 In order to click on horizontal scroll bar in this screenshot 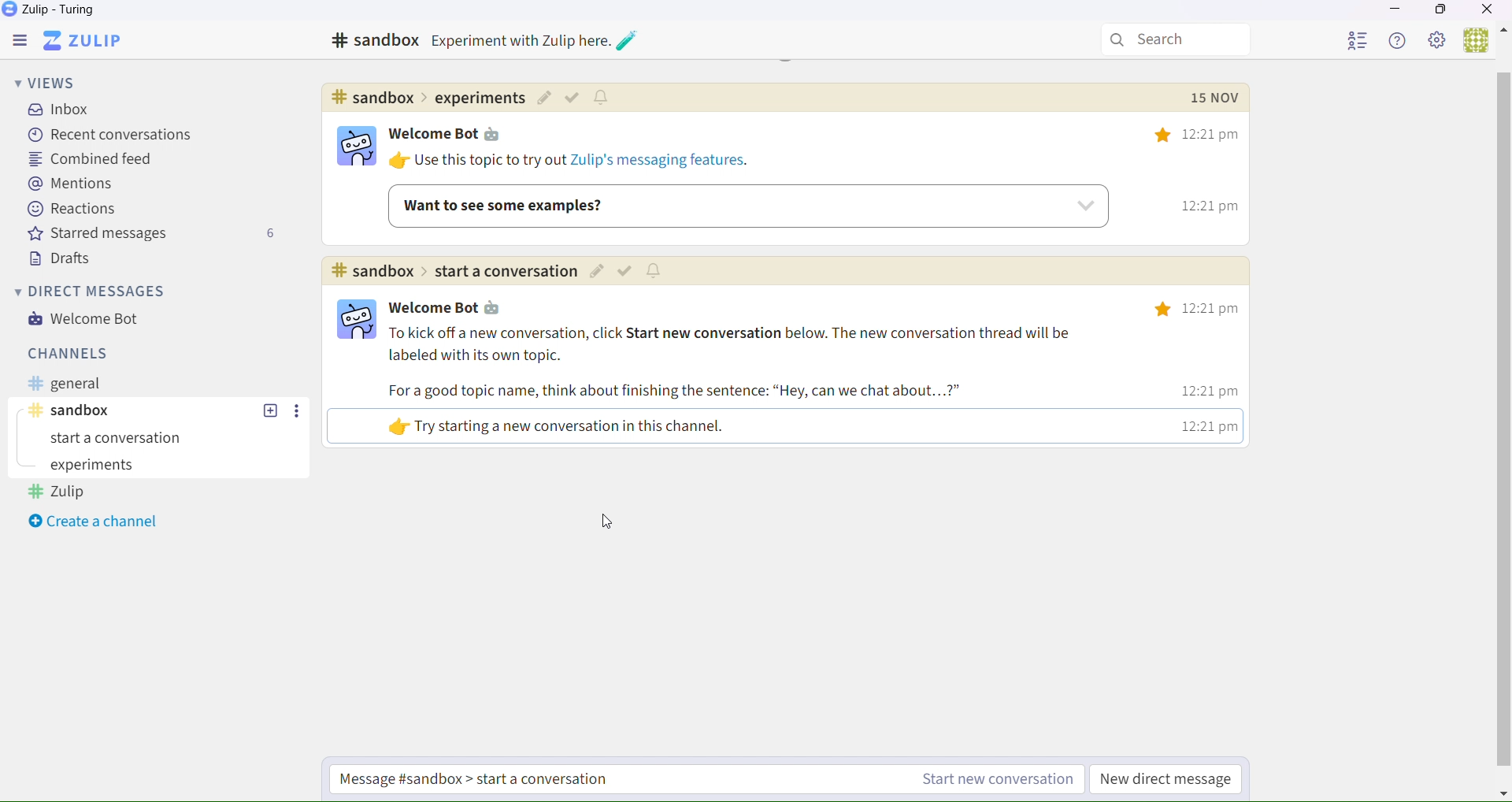, I will do `click(1501, 422)`.